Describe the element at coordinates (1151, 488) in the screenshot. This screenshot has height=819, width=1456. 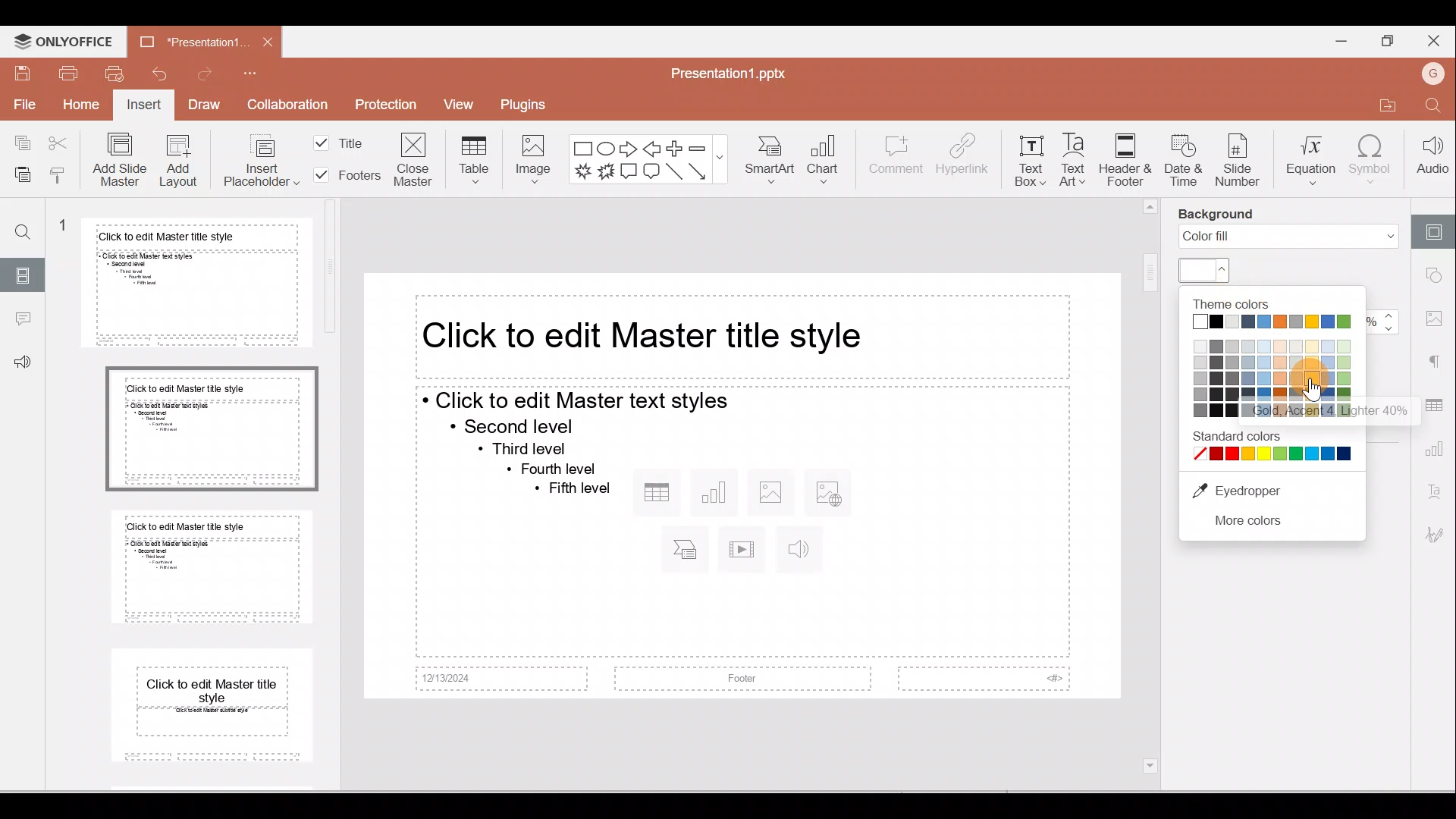
I see `vertical scrollbar` at that location.